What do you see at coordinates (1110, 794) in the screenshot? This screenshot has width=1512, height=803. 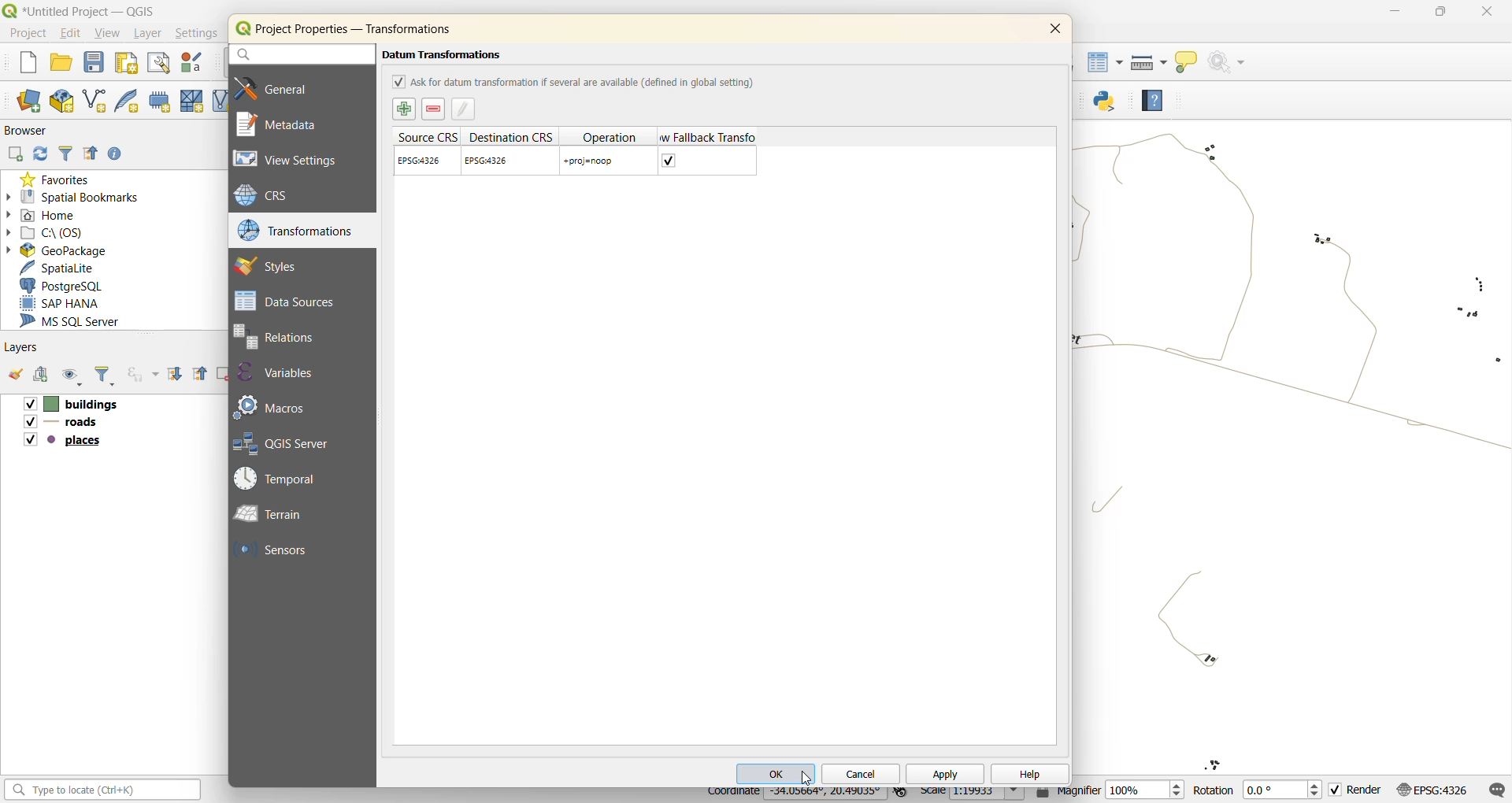 I see `magnifier` at bounding box center [1110, 794].